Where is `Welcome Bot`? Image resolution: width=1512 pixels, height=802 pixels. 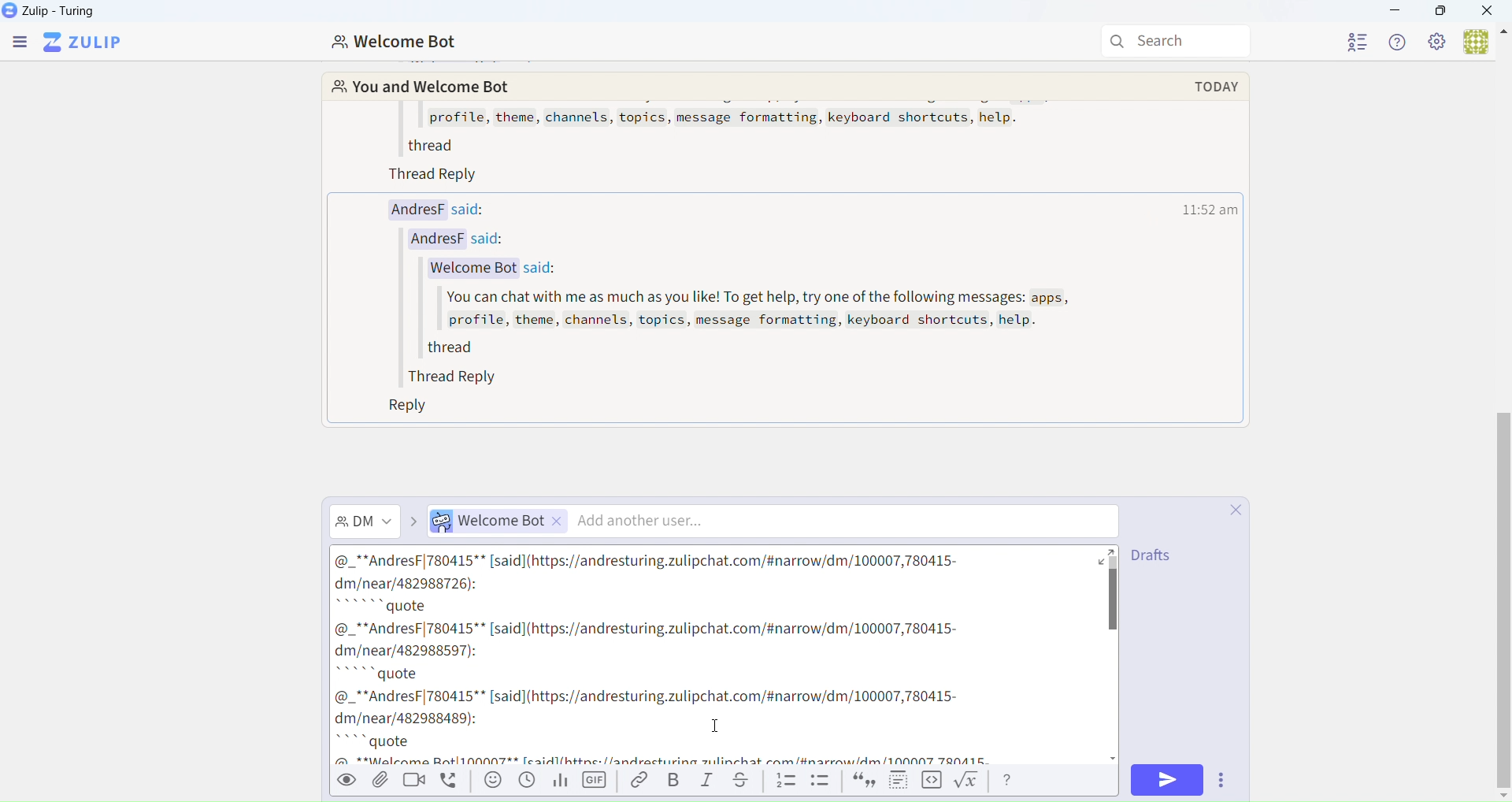
Welcome Bot is located at coordinates (398, 44).